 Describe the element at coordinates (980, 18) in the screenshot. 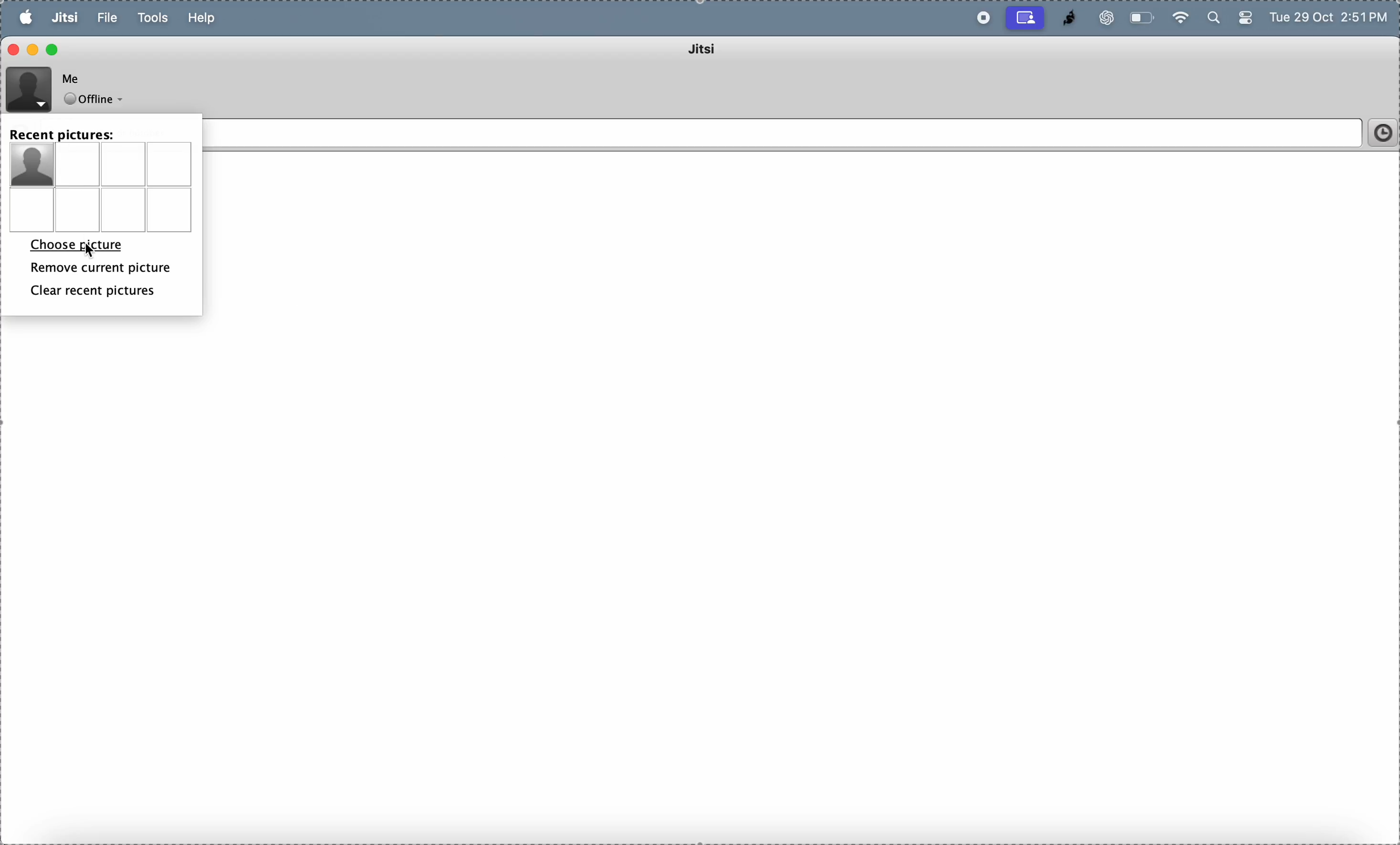

I see `record` at that location.